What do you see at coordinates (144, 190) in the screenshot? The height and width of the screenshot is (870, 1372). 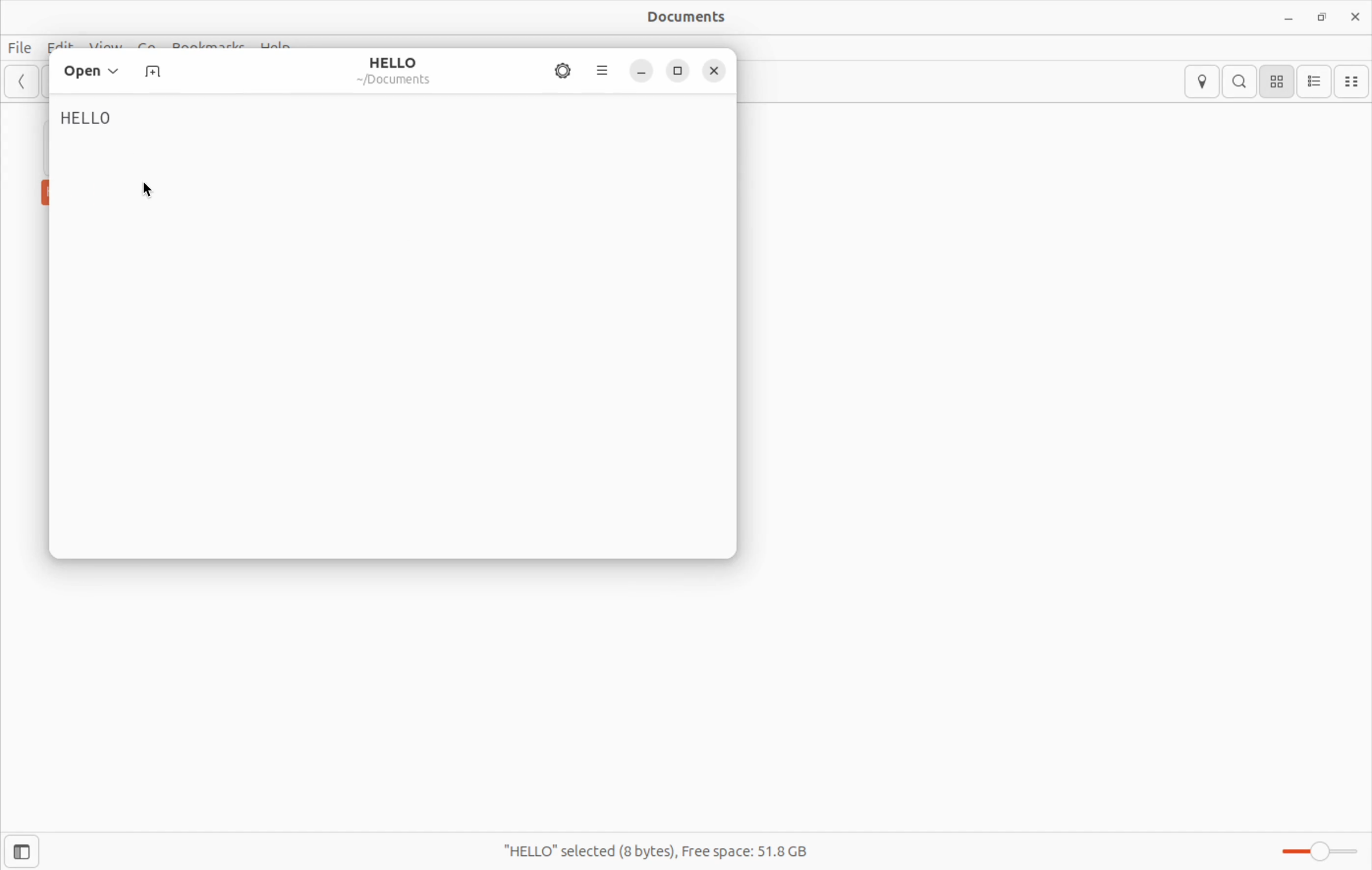 I see `cursor` at bounding box center [144, 190].